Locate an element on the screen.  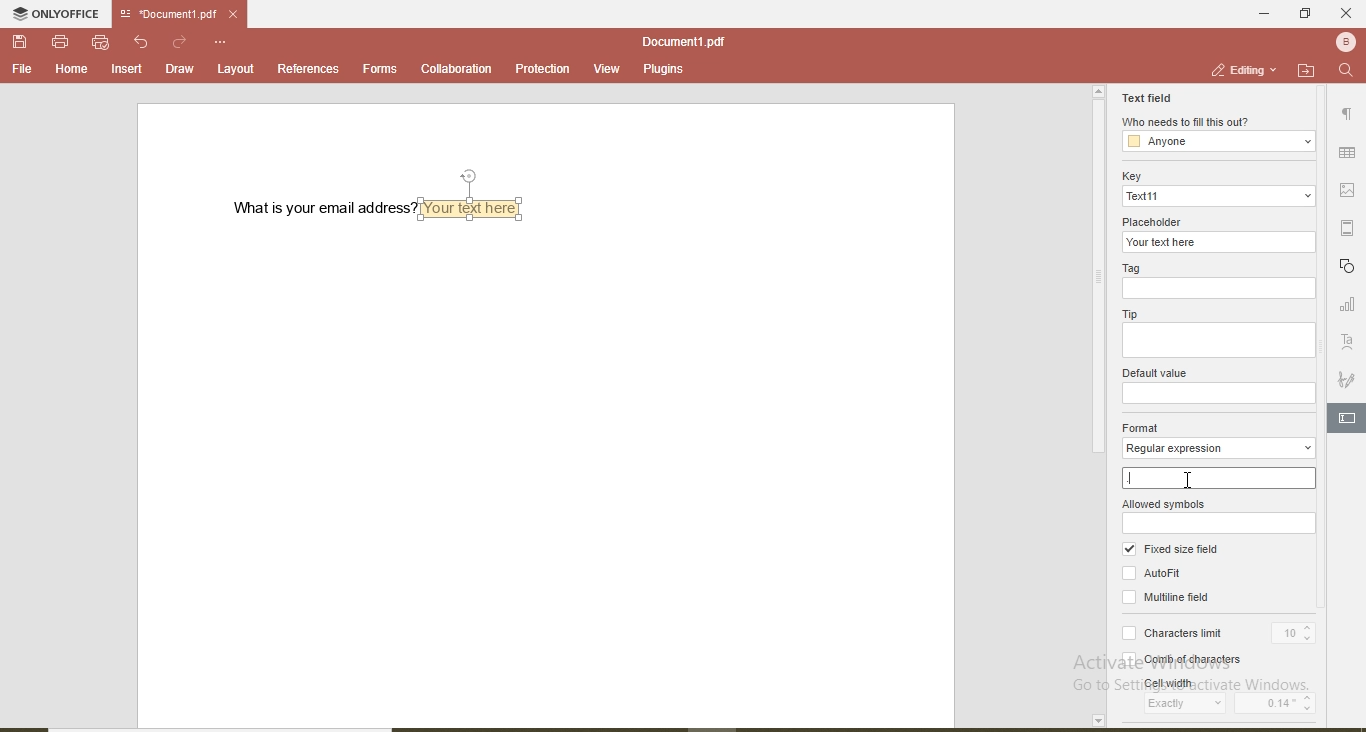
customise quick access toolbar is located at coordinates (222, 41).